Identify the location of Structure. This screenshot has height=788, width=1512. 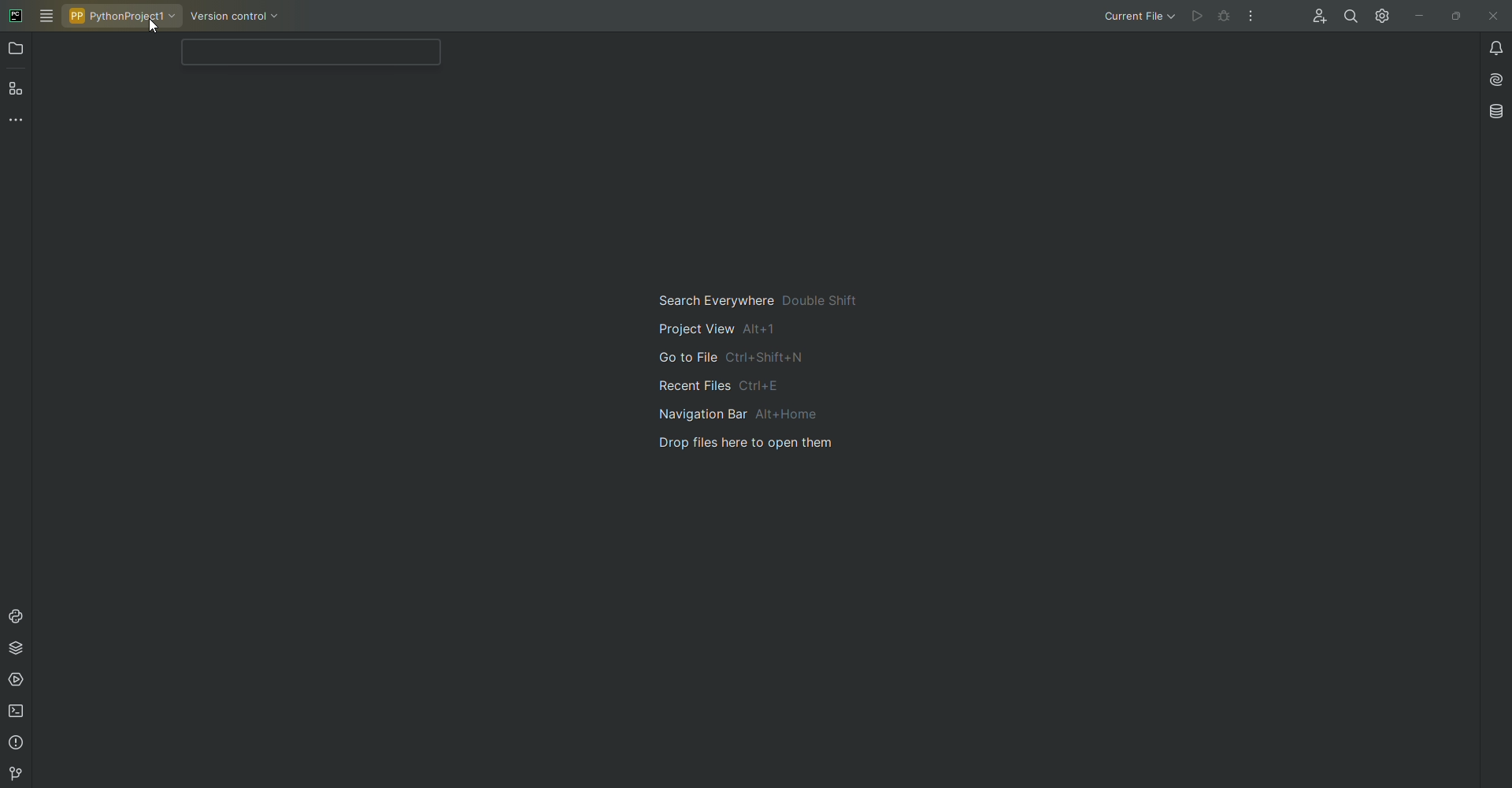
(18, 91).